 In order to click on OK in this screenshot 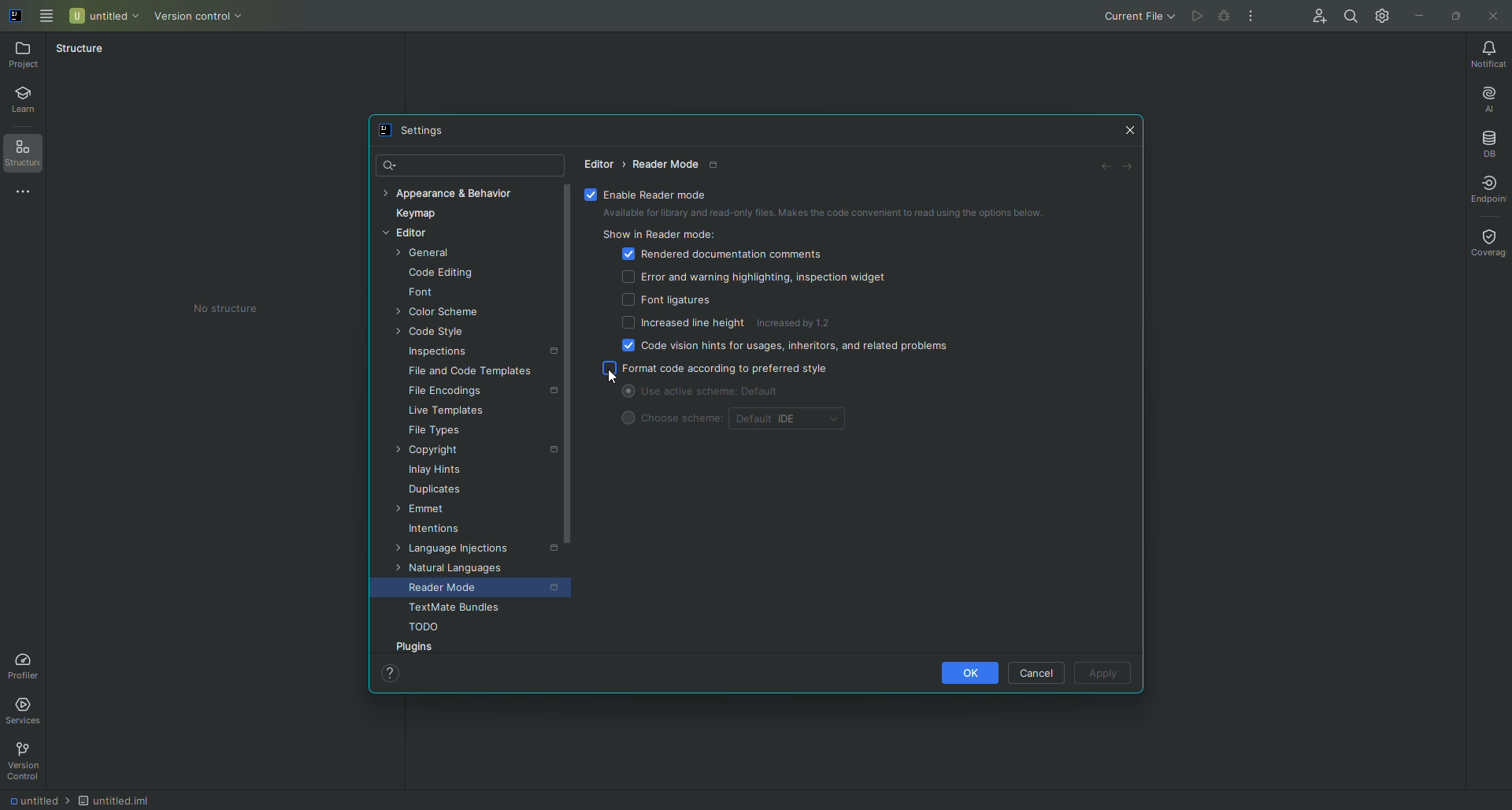, I will do `click(970, 673)`.